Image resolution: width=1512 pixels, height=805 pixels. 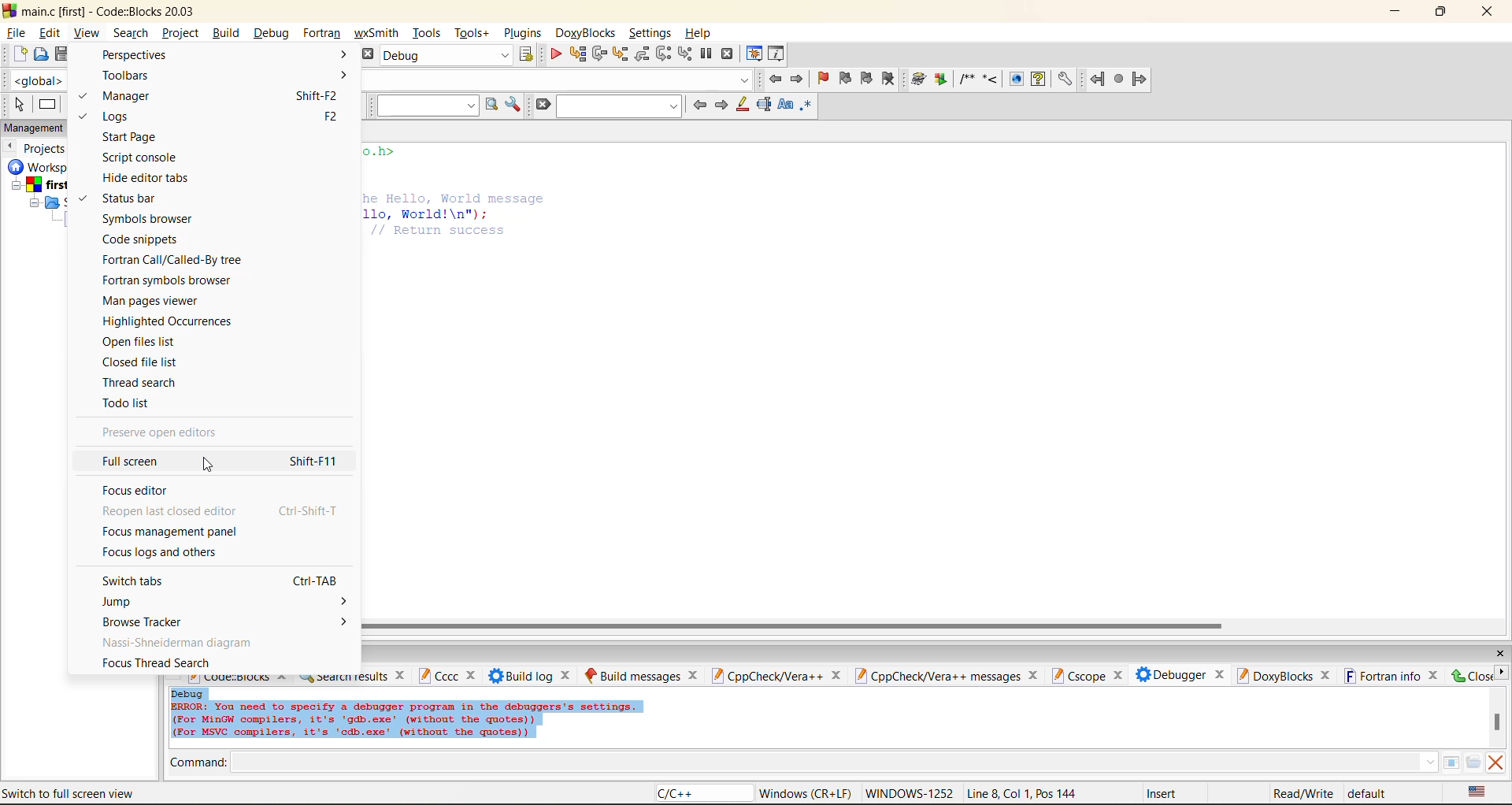 What do you see at coordinates (784, 106) in the screenshot?
I see `match case` at bounding box center [784, 106].